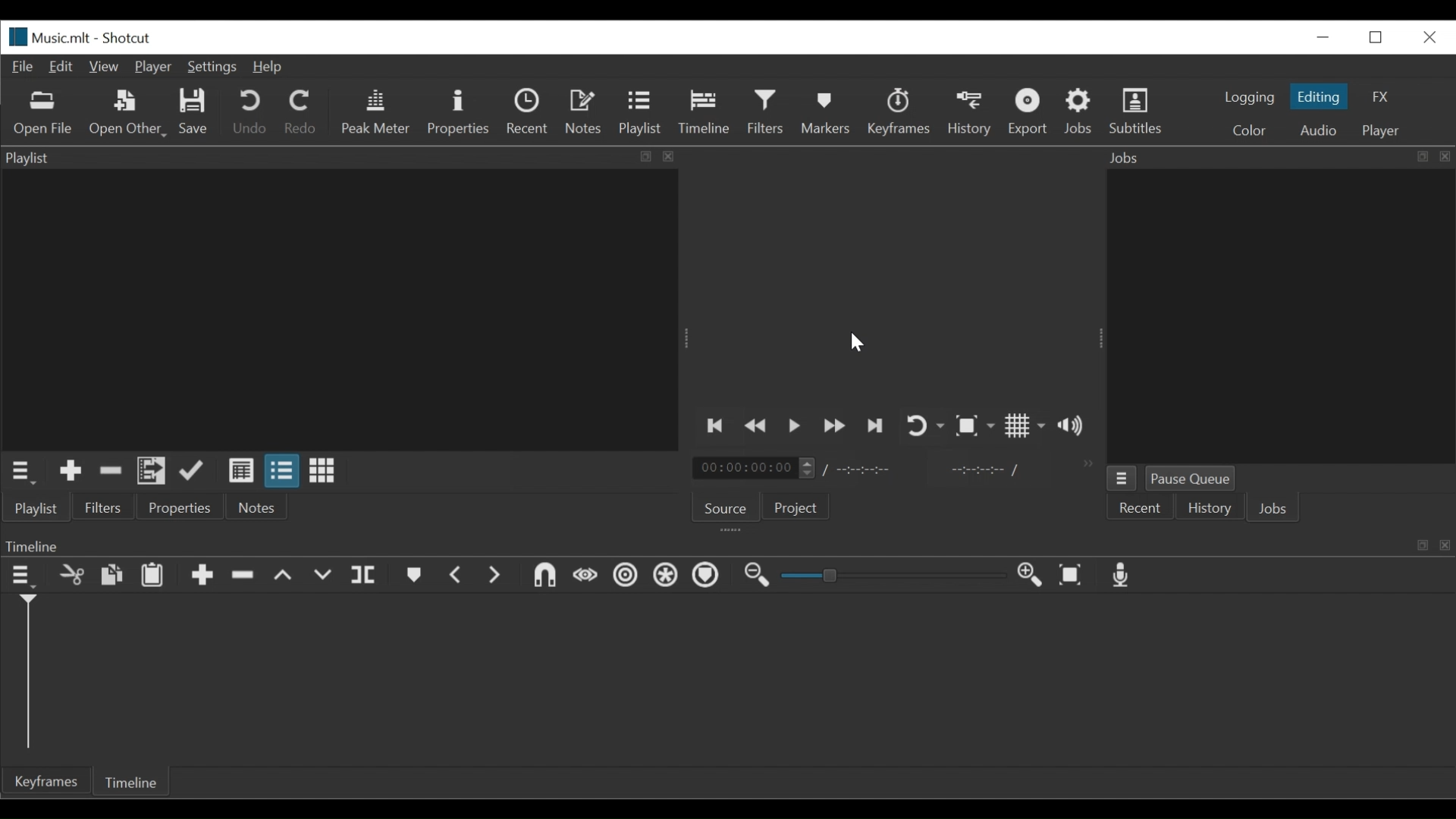 This screenshot has width=1456, height=819. What do you see at coordinates (288, 576) in the screenshot?
I see `Lift` at bounding box center [288, 576].